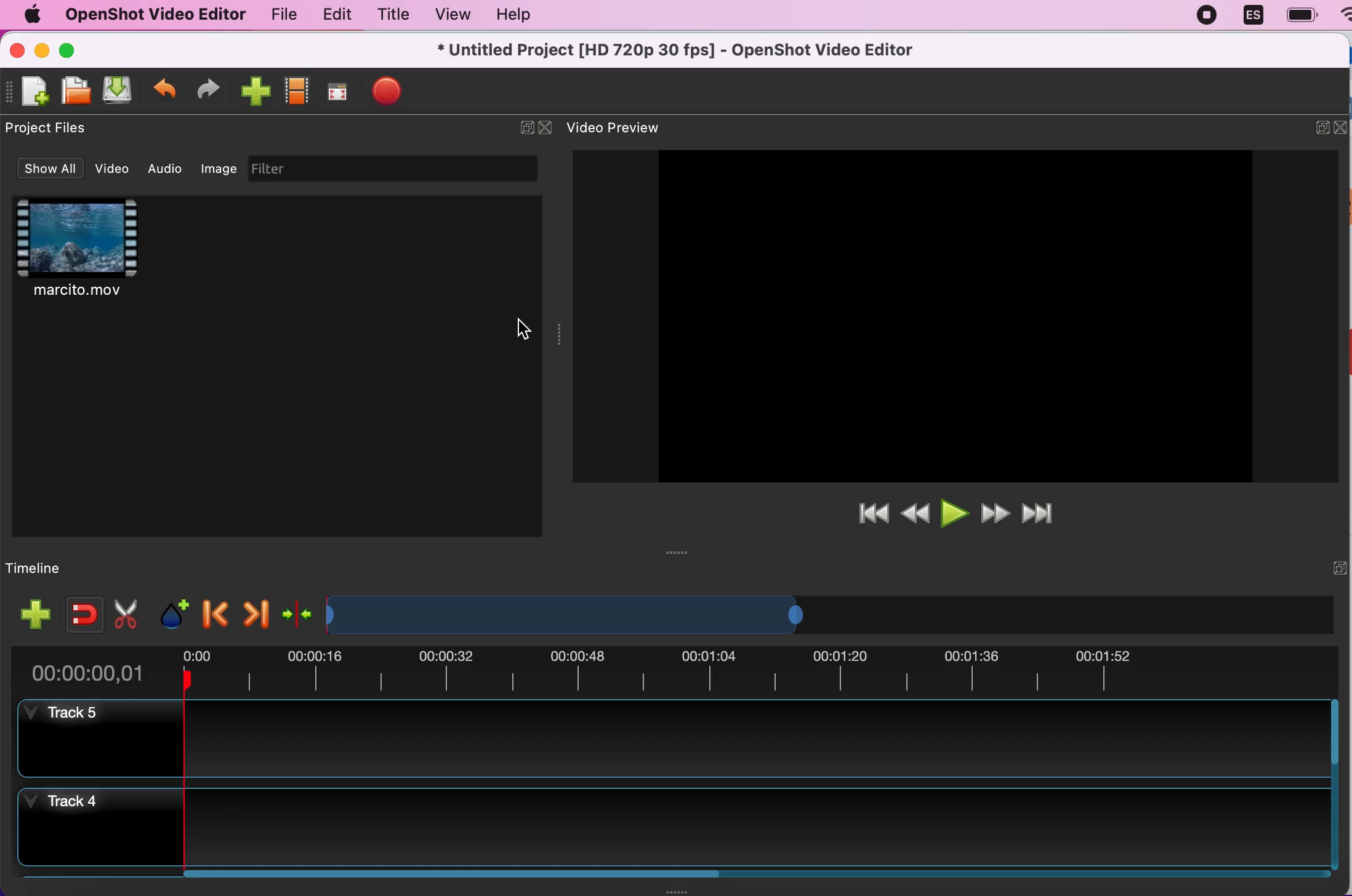 The width and height of the screenshot is (1352, 896). Describe the element at coordinates (672, 828) in the screenshot. I see `track 4` at that location.